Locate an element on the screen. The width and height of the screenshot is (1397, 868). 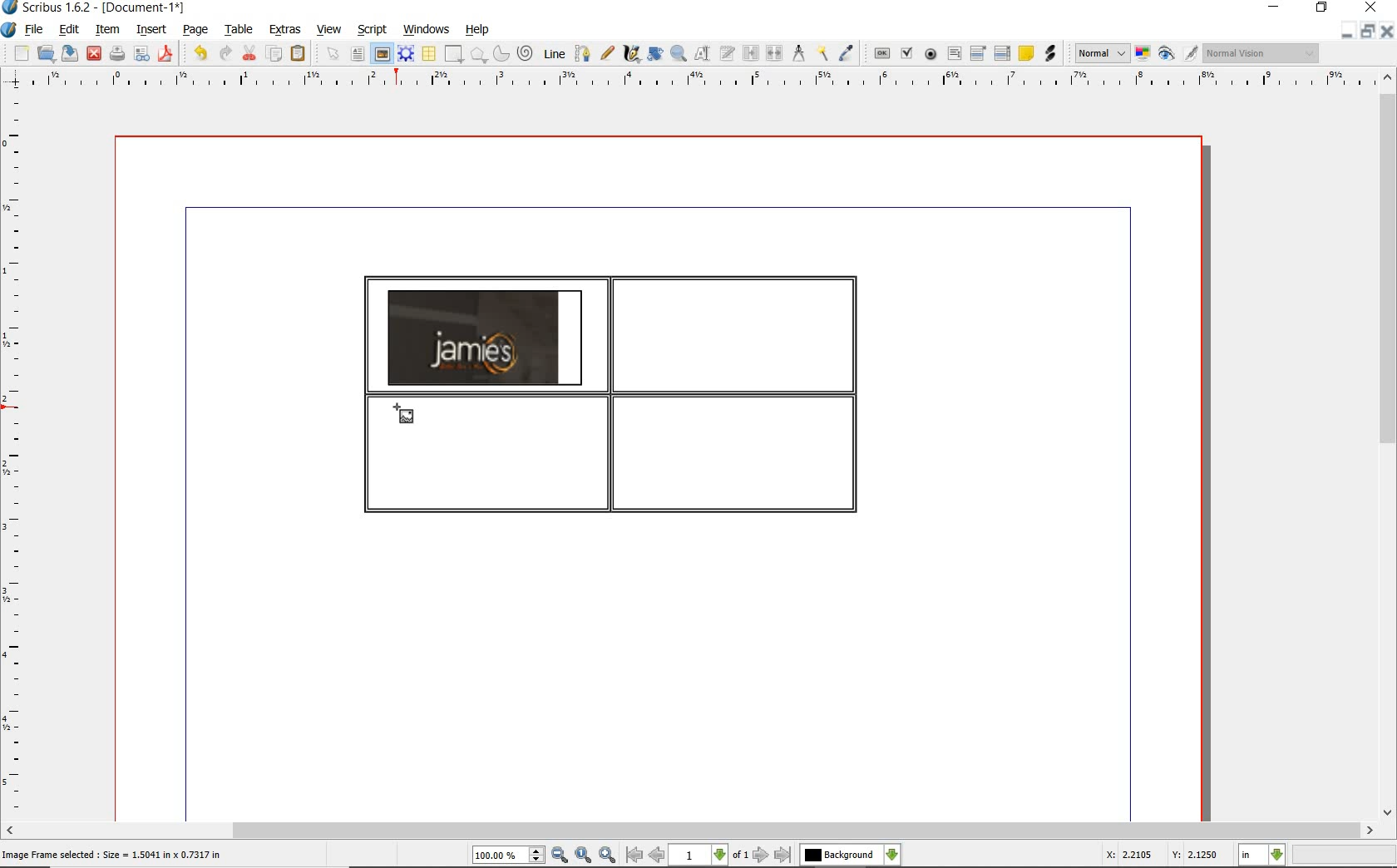
paste is located at coordinates (298, 53).